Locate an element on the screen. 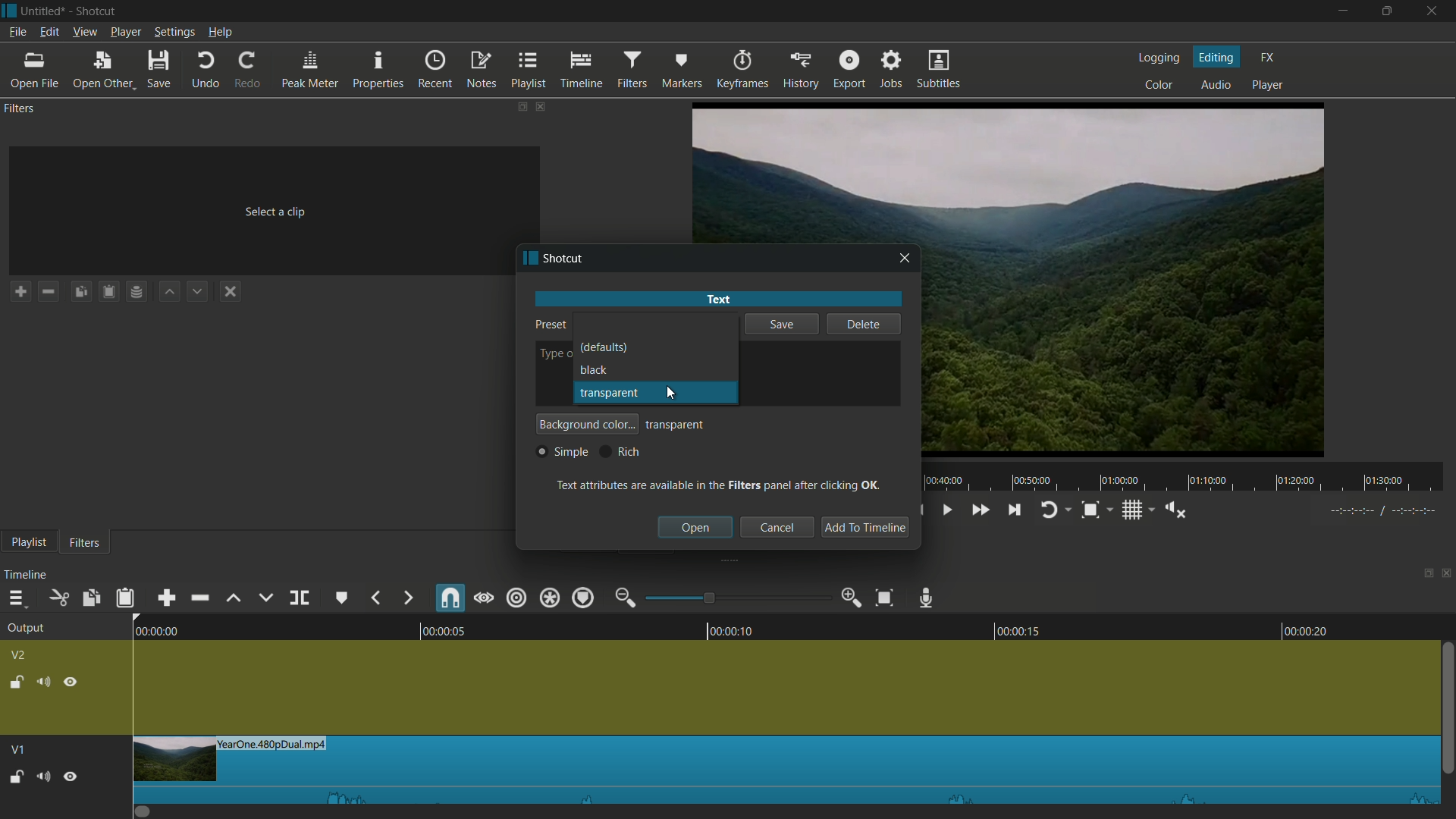 The image size is (1456, 819). zoom in is located at coordinates (852, 598).